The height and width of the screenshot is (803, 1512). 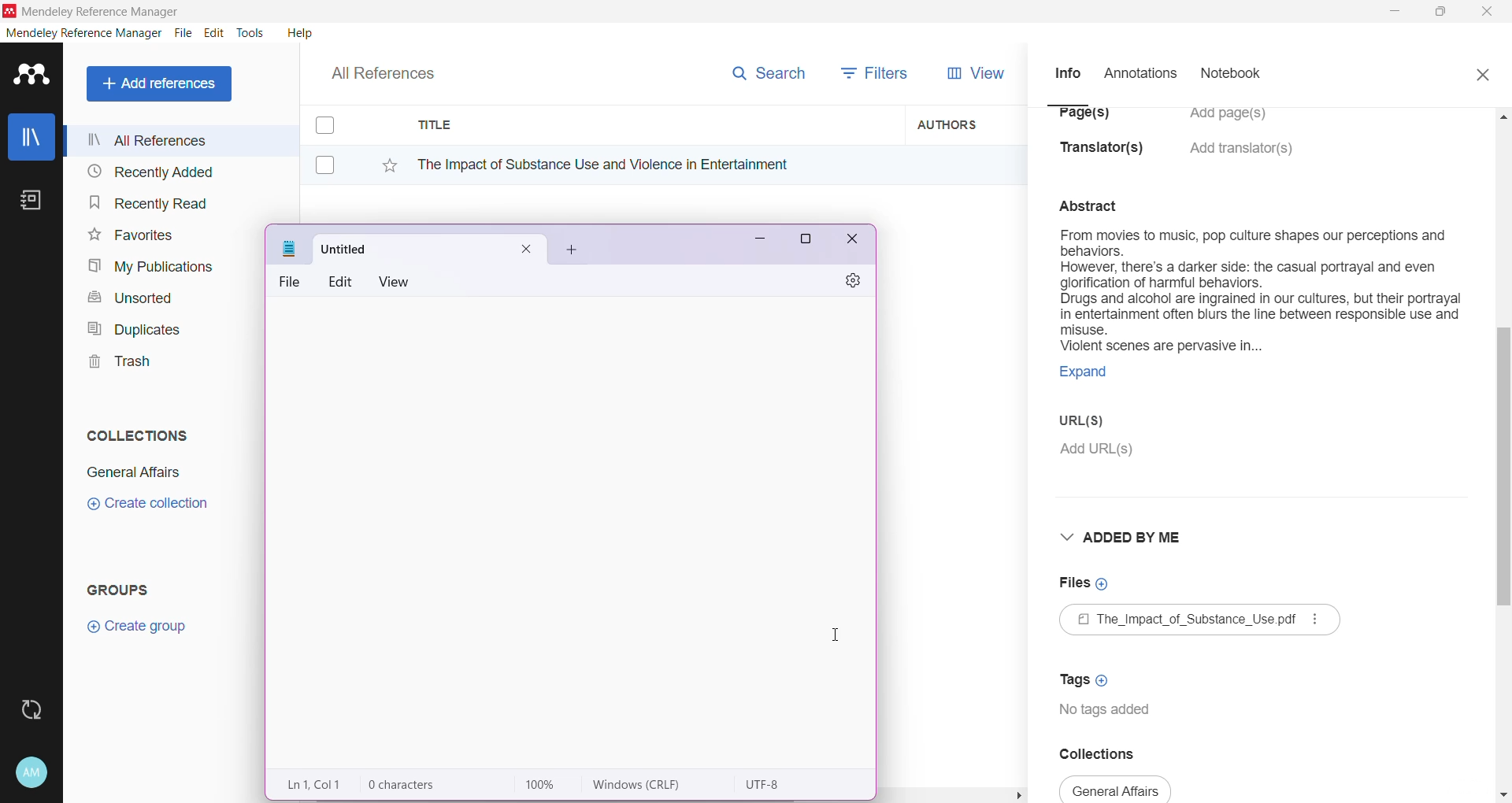 What do you see at coordinates (806, 242) in the screenshot?
I see `Maximize` at bounding box center [806, 242].